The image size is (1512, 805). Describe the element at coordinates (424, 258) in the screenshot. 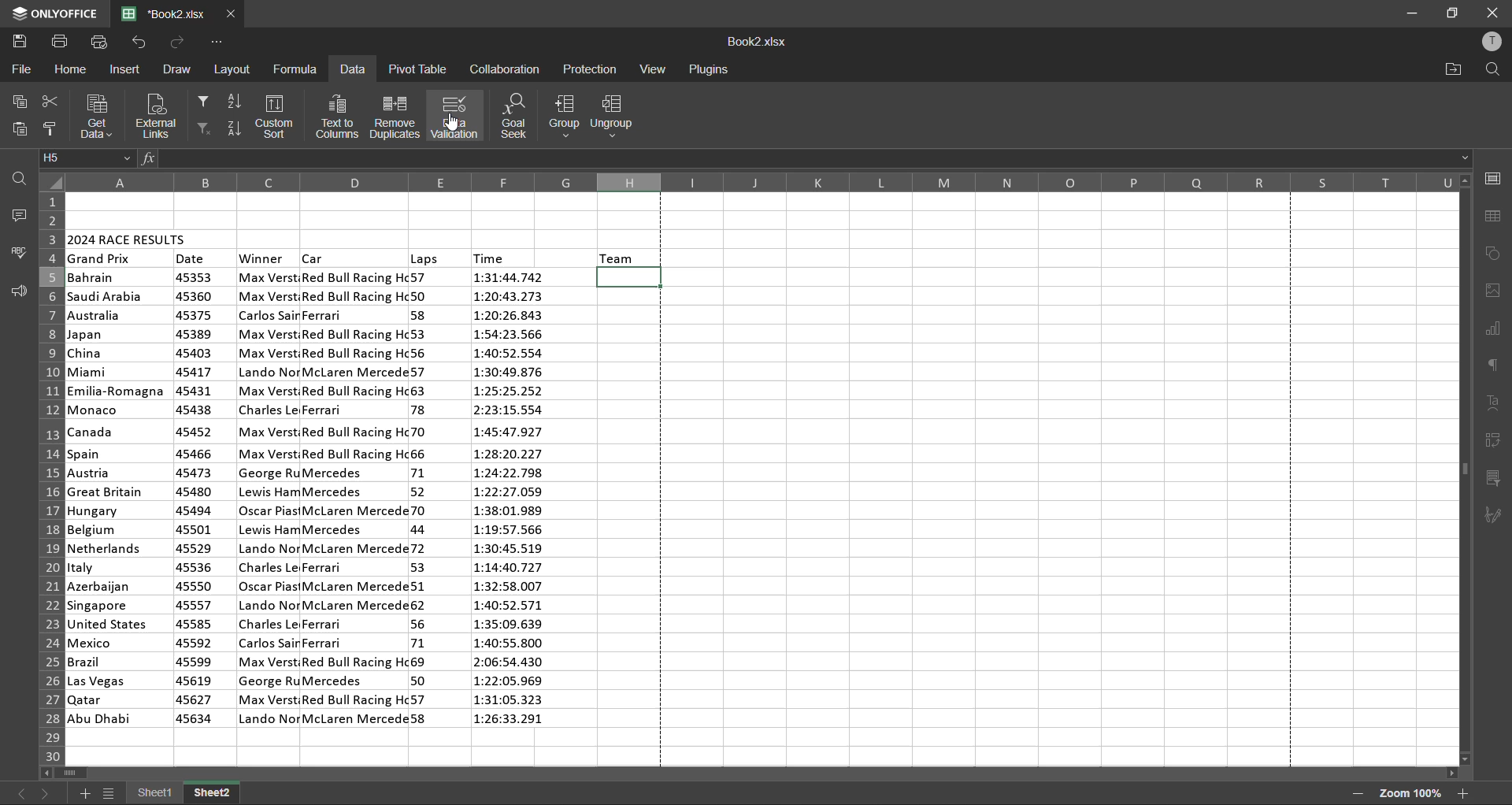

I see `laps` at that location.